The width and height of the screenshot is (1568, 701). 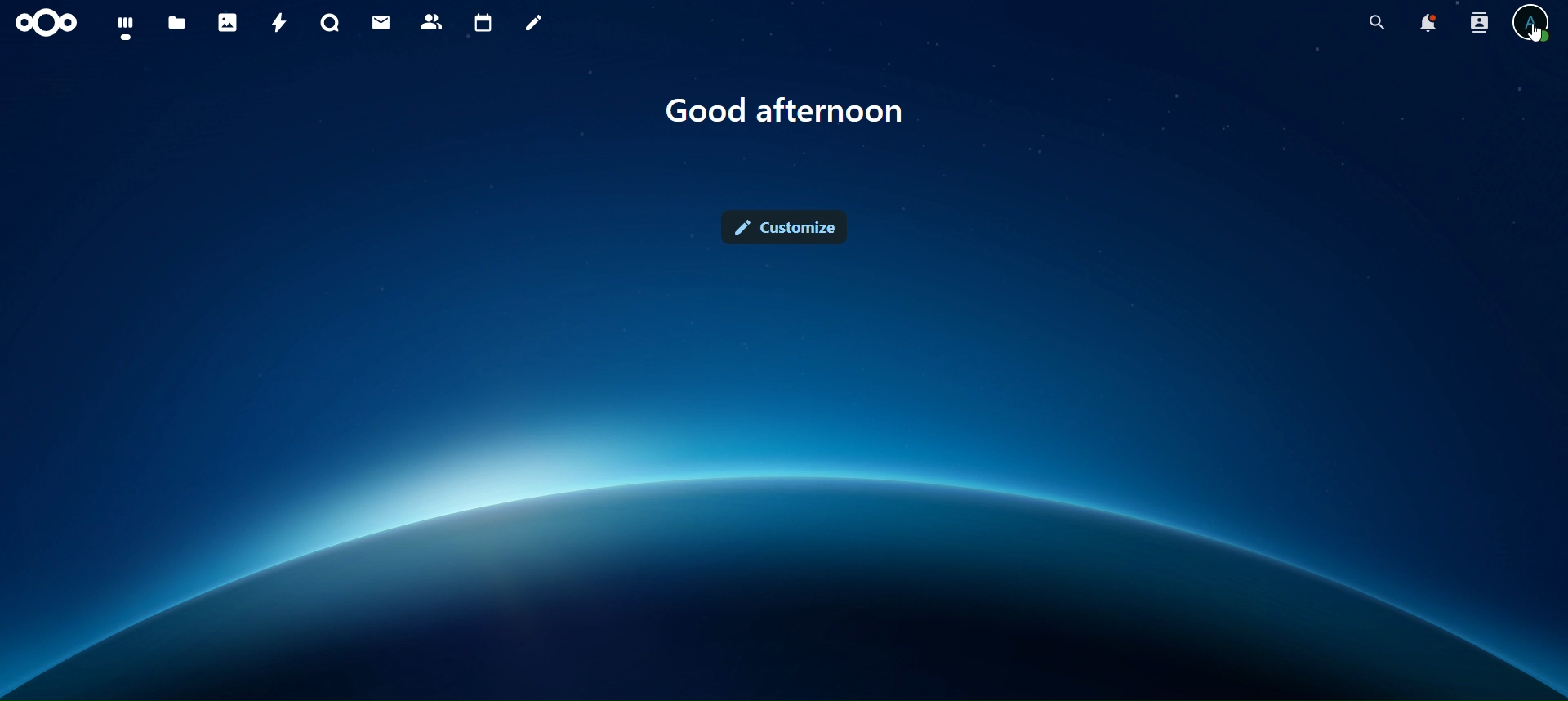 What do you see at coordinates (1539, 39) in the screenshot?
I see `cursor` at bounding box center [1539, 39].